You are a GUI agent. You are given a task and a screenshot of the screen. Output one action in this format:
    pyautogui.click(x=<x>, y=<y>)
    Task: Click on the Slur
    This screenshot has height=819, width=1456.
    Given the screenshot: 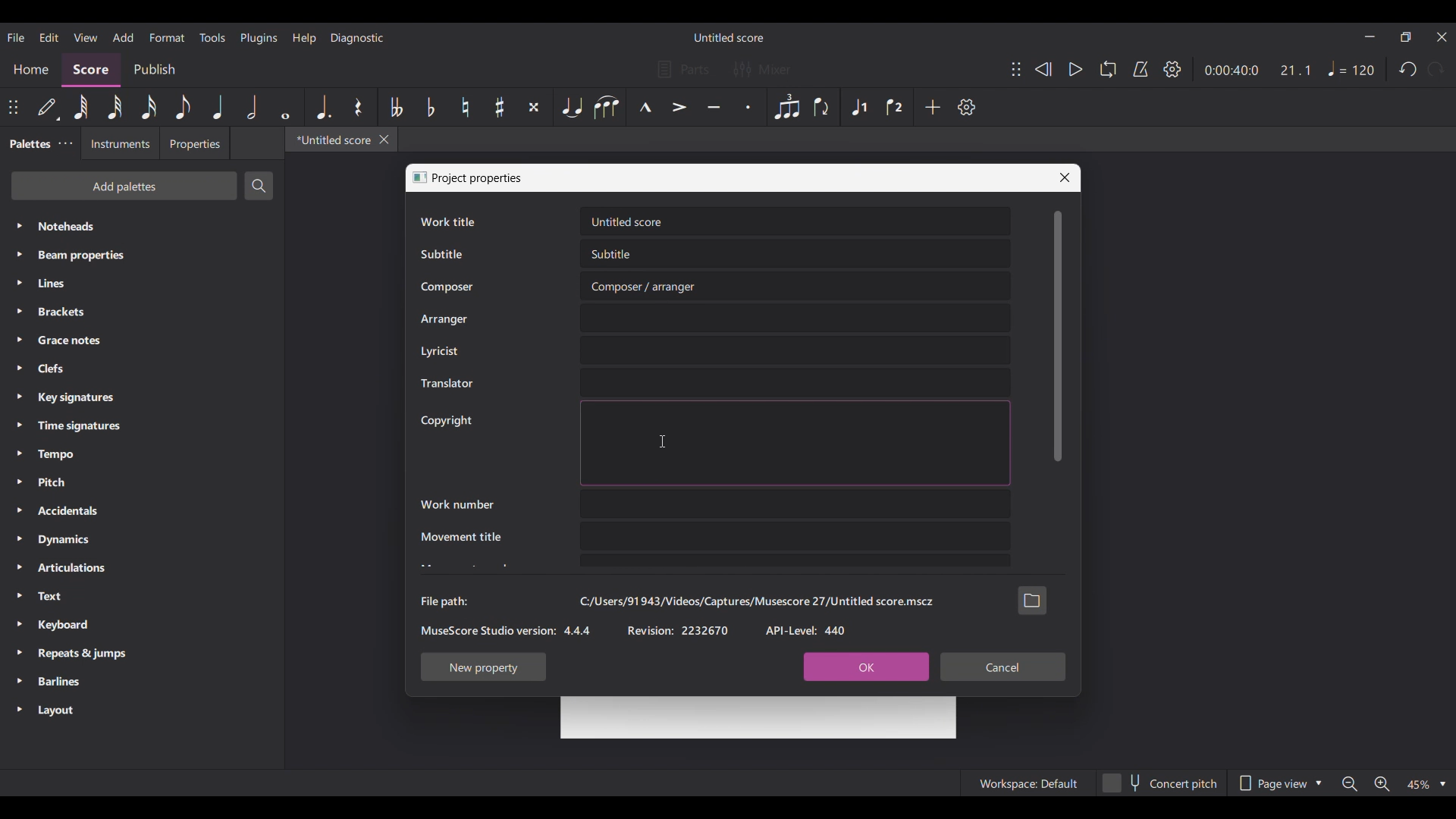 What is the action you would take?
    pyautogui.click(x=607, y=107)
    